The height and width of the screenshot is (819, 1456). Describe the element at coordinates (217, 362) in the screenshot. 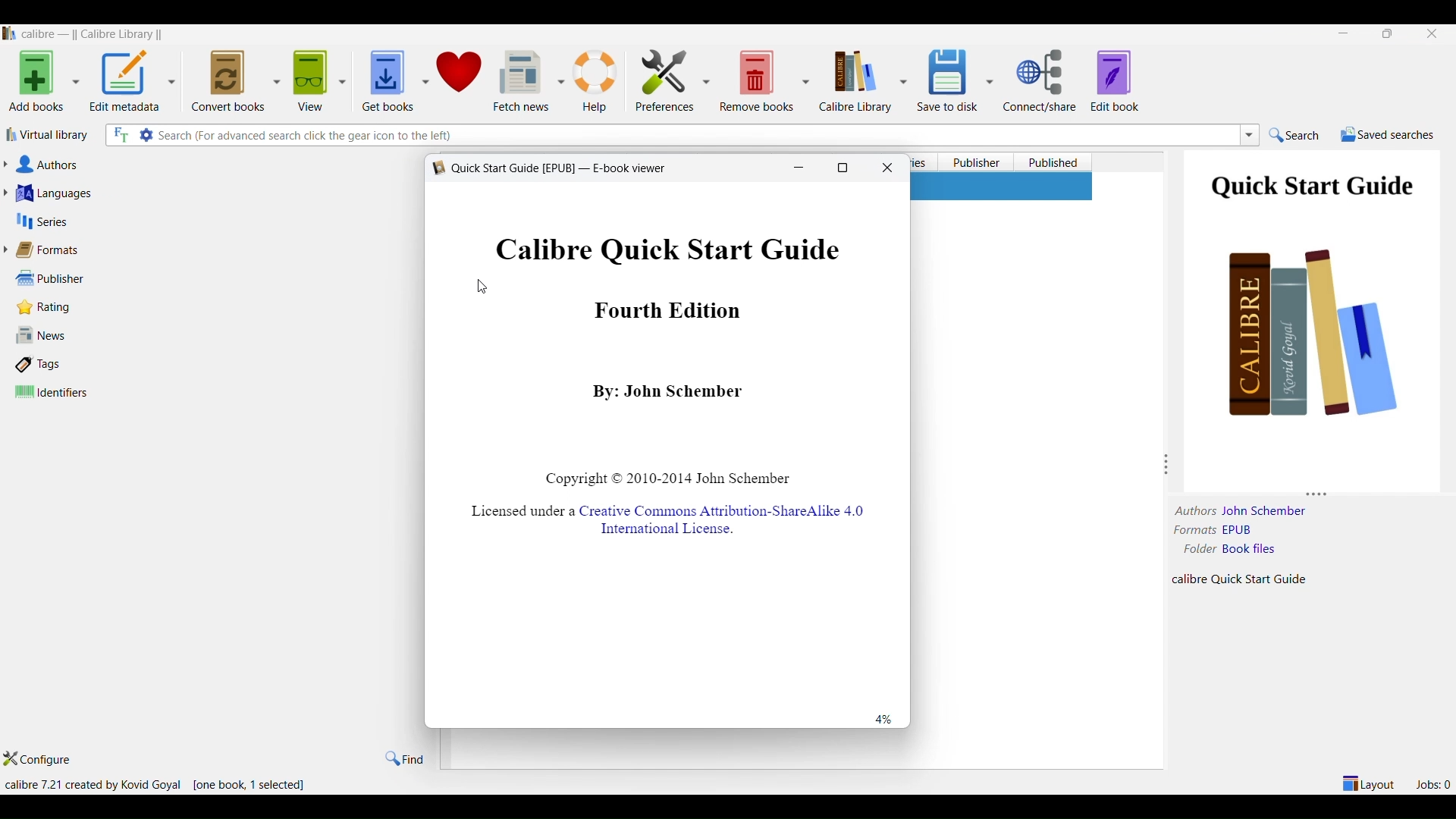

I see `tags ` at that location.